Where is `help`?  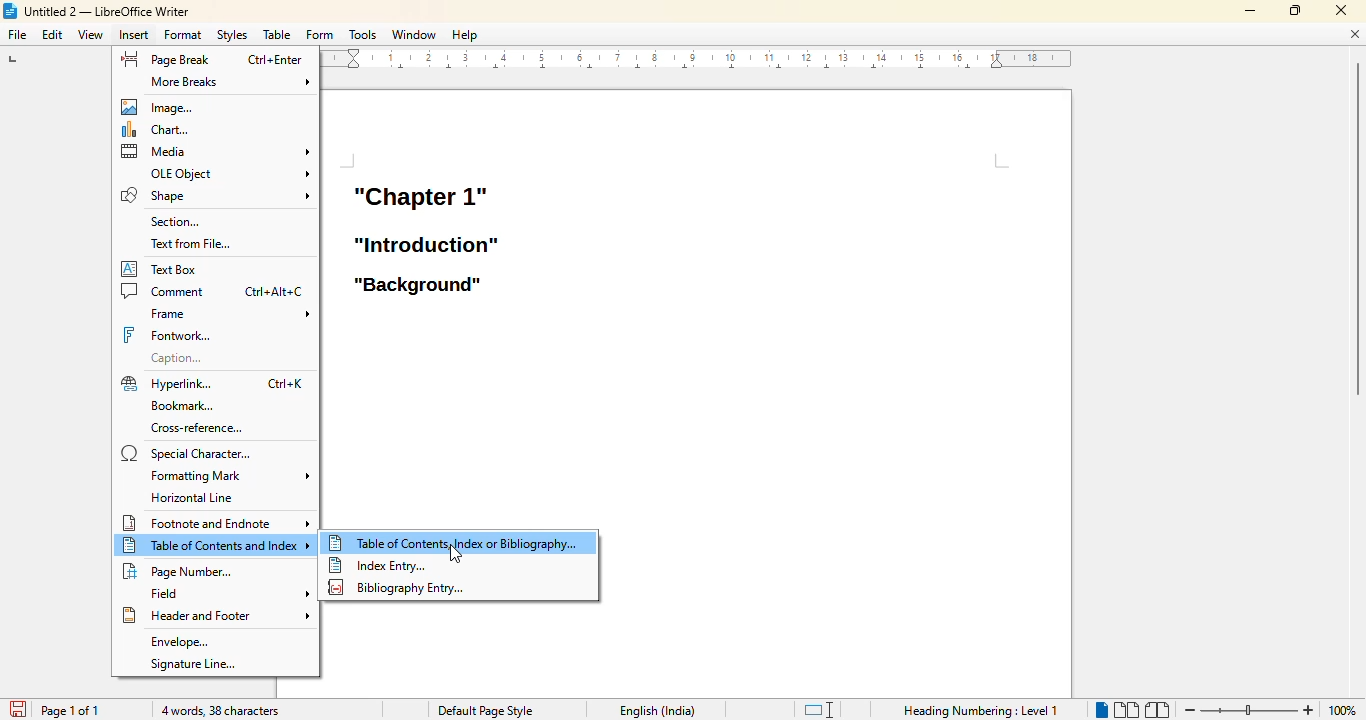
help is located at coordinates (464, 34).